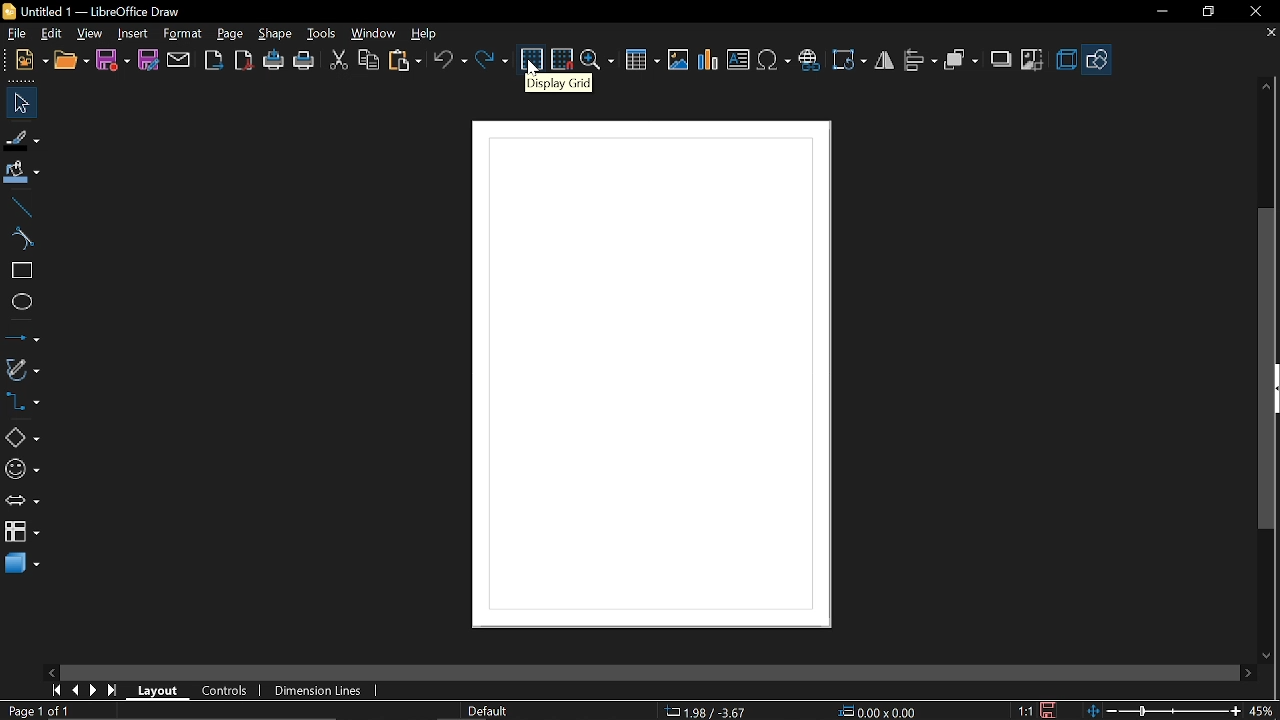 This screenshot has width=1280, height=720. Describe the element at coordinates (24, 104) in the screenshot. I see `Select` at that location.